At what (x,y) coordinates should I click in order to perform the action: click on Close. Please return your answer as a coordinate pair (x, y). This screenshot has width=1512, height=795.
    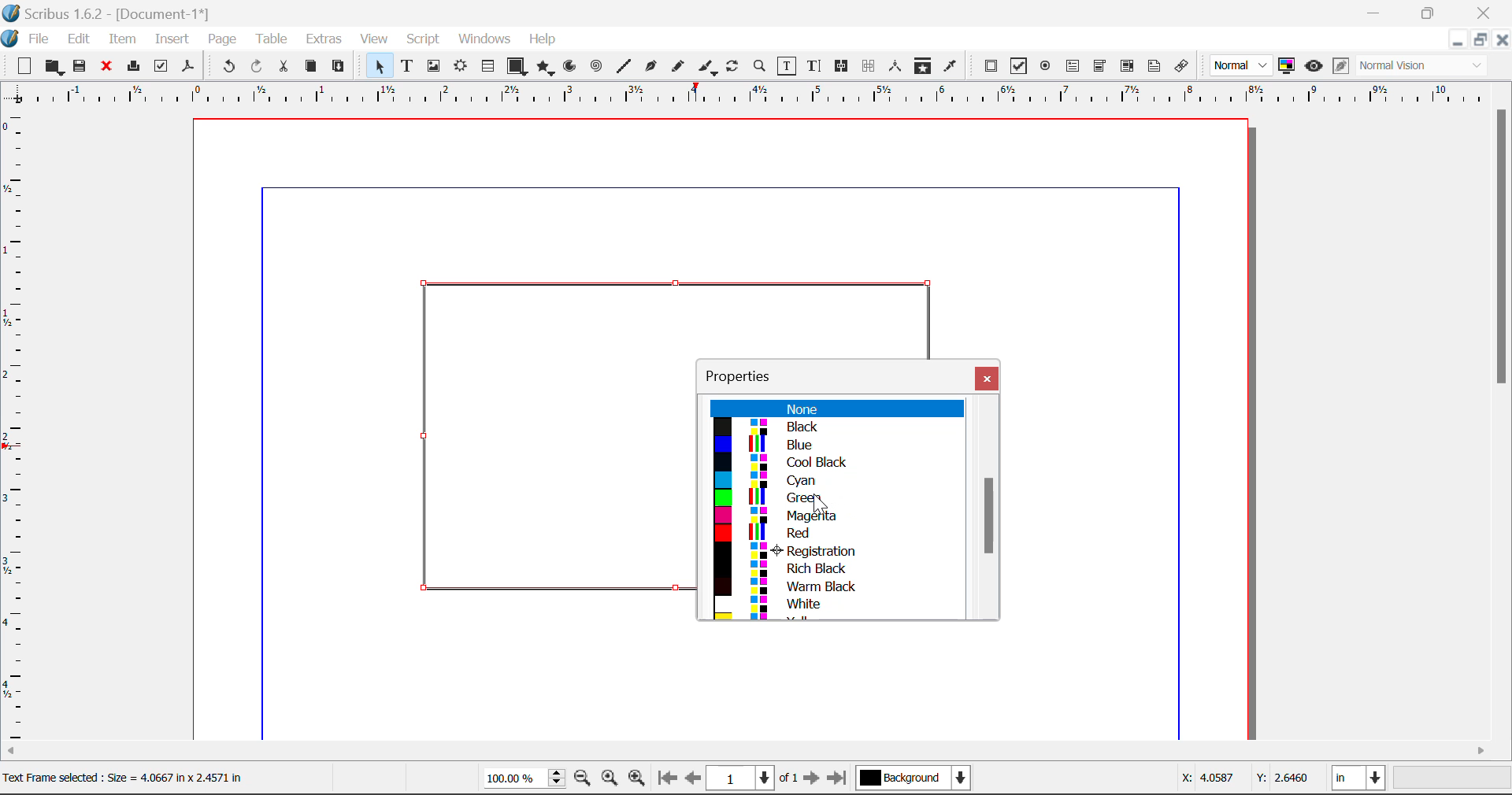
    Looking at the image, I should click on (1503, 39).